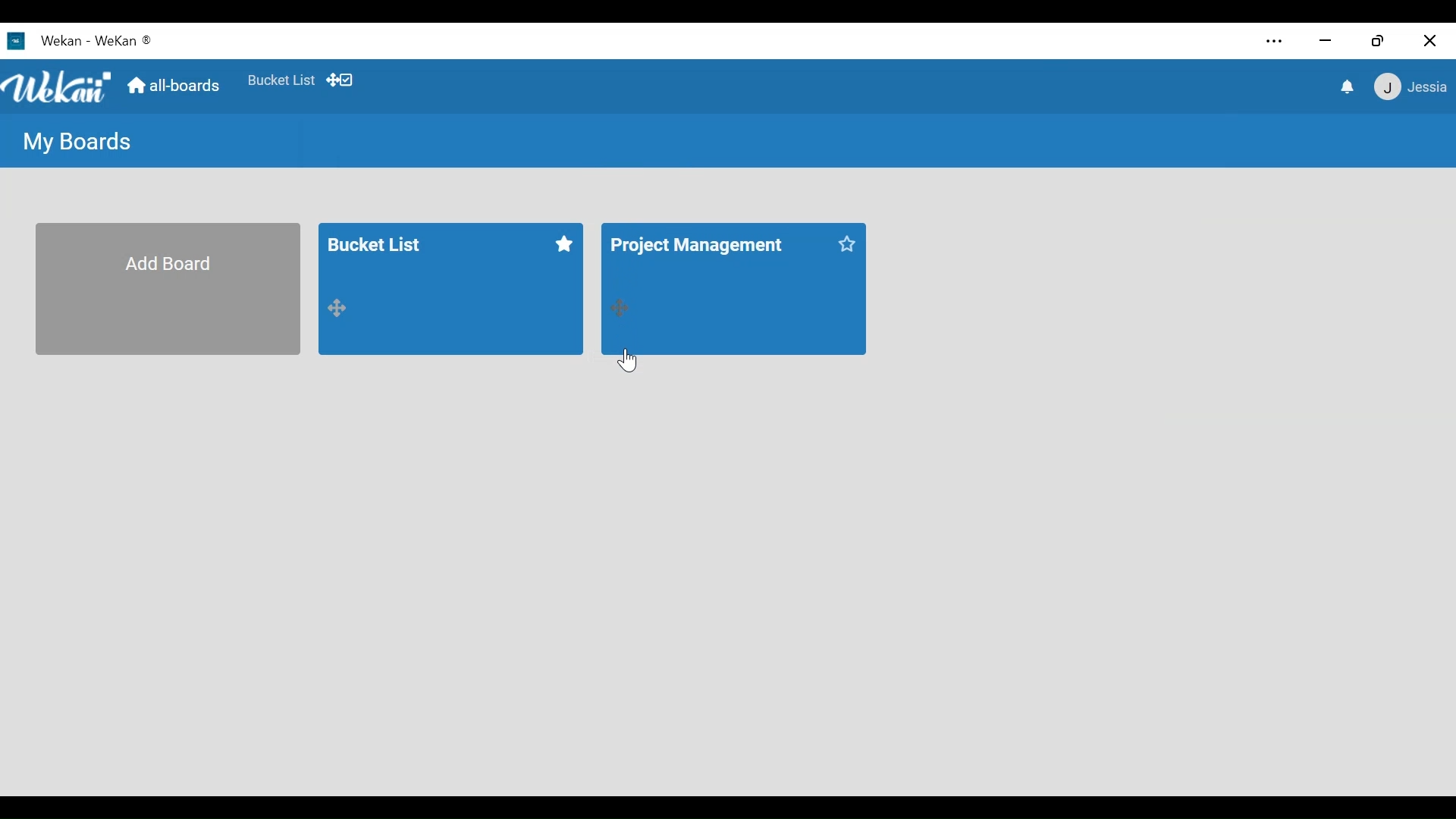  Describe the element at coordinates (1410, 86) in the screenshot. I see `member settings` at that location.